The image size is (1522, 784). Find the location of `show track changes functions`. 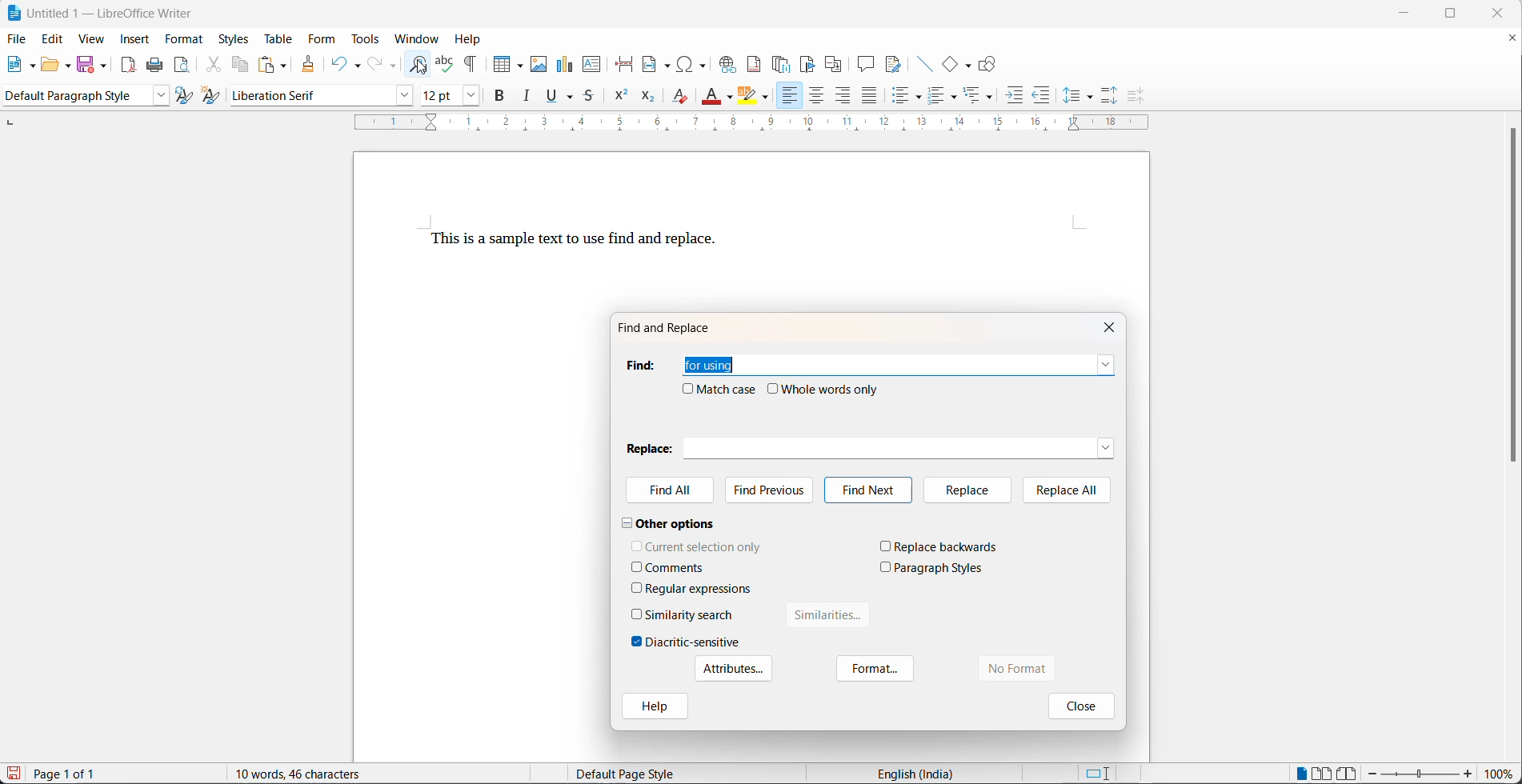

show track changes functions is located at coordinates (893, 64).